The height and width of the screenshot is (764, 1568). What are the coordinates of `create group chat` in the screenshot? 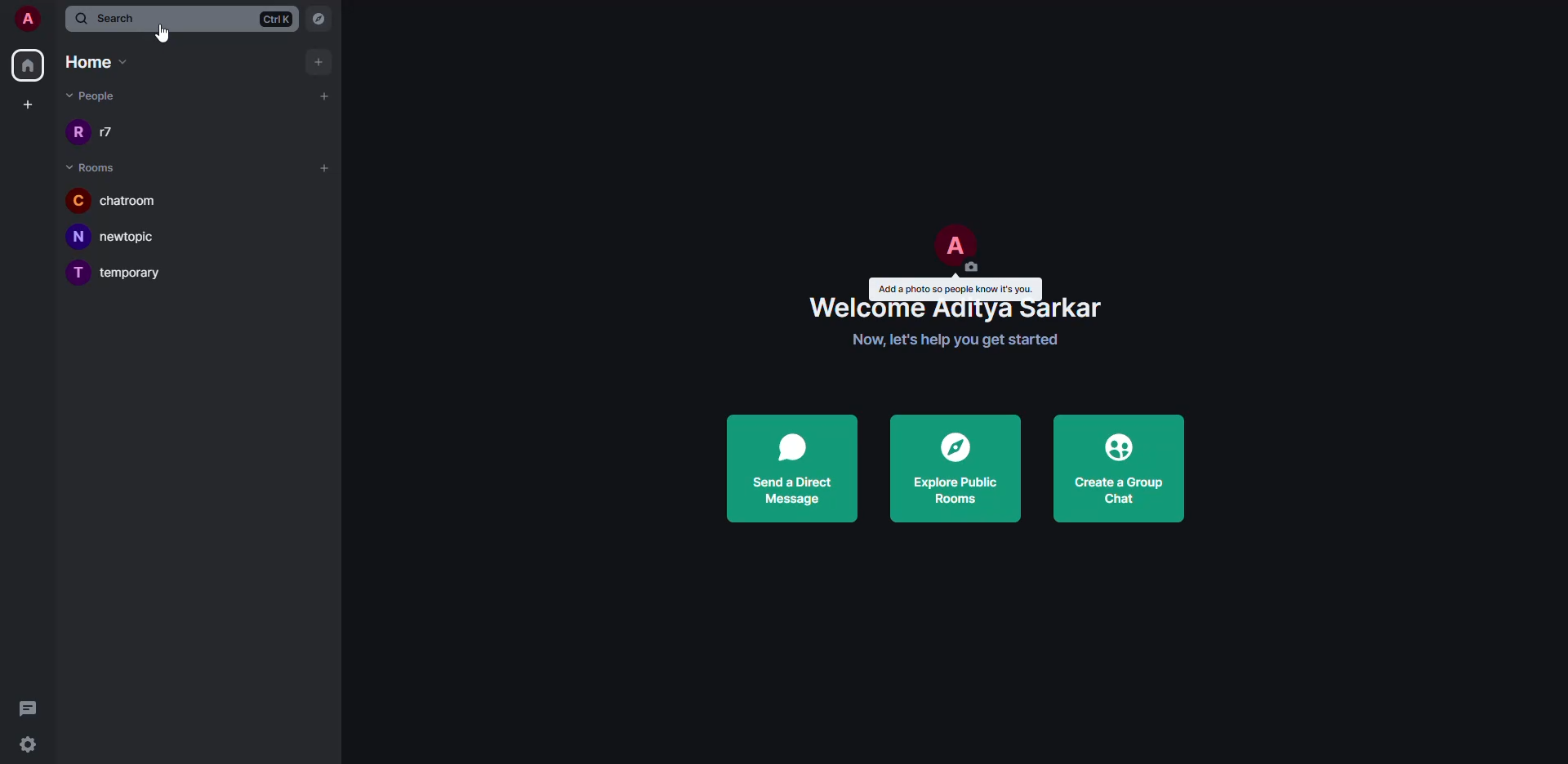 It's located at (1122, 472).